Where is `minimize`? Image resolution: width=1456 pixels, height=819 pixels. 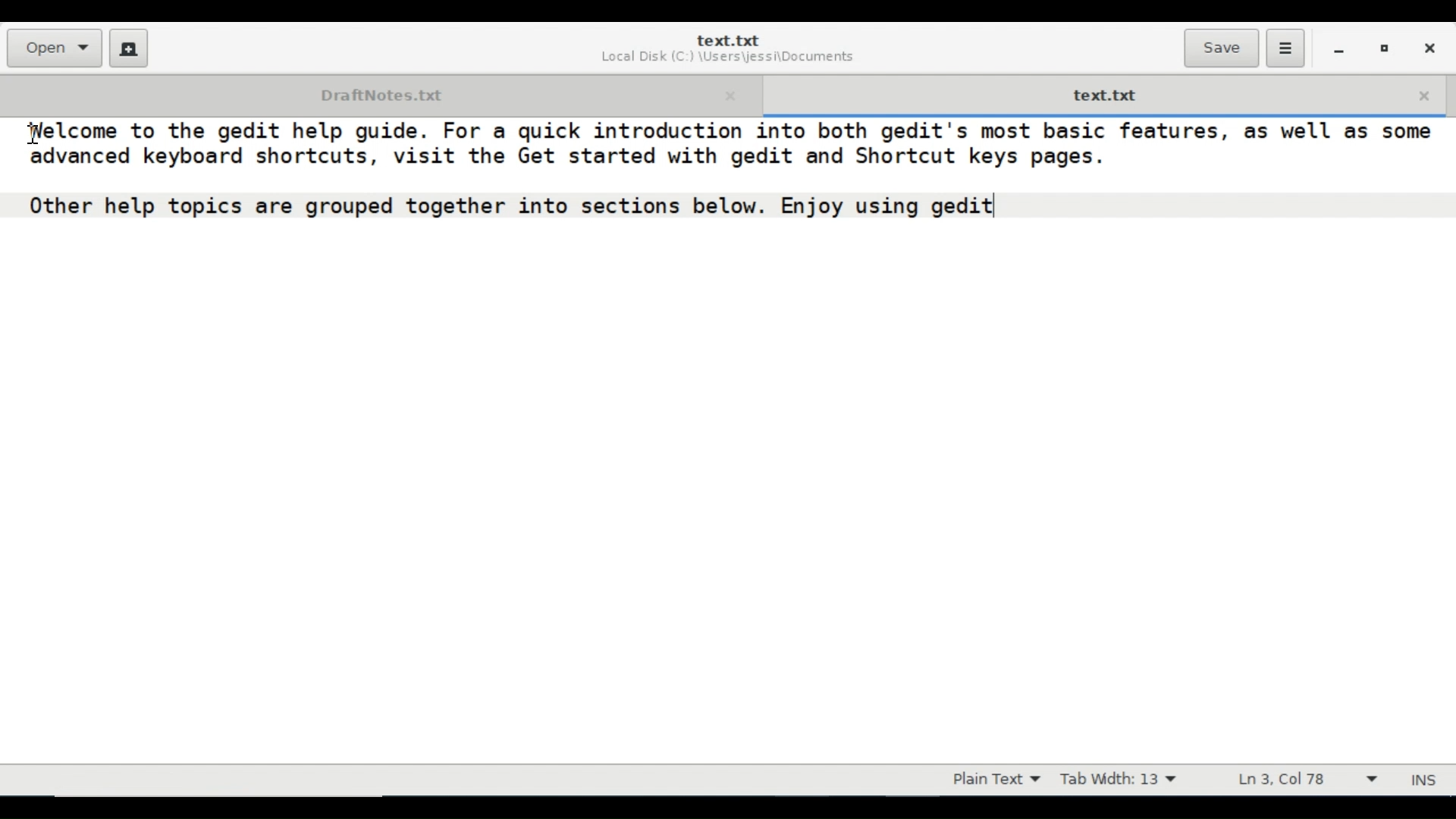 minimize is located at coordinates (1338, 48).